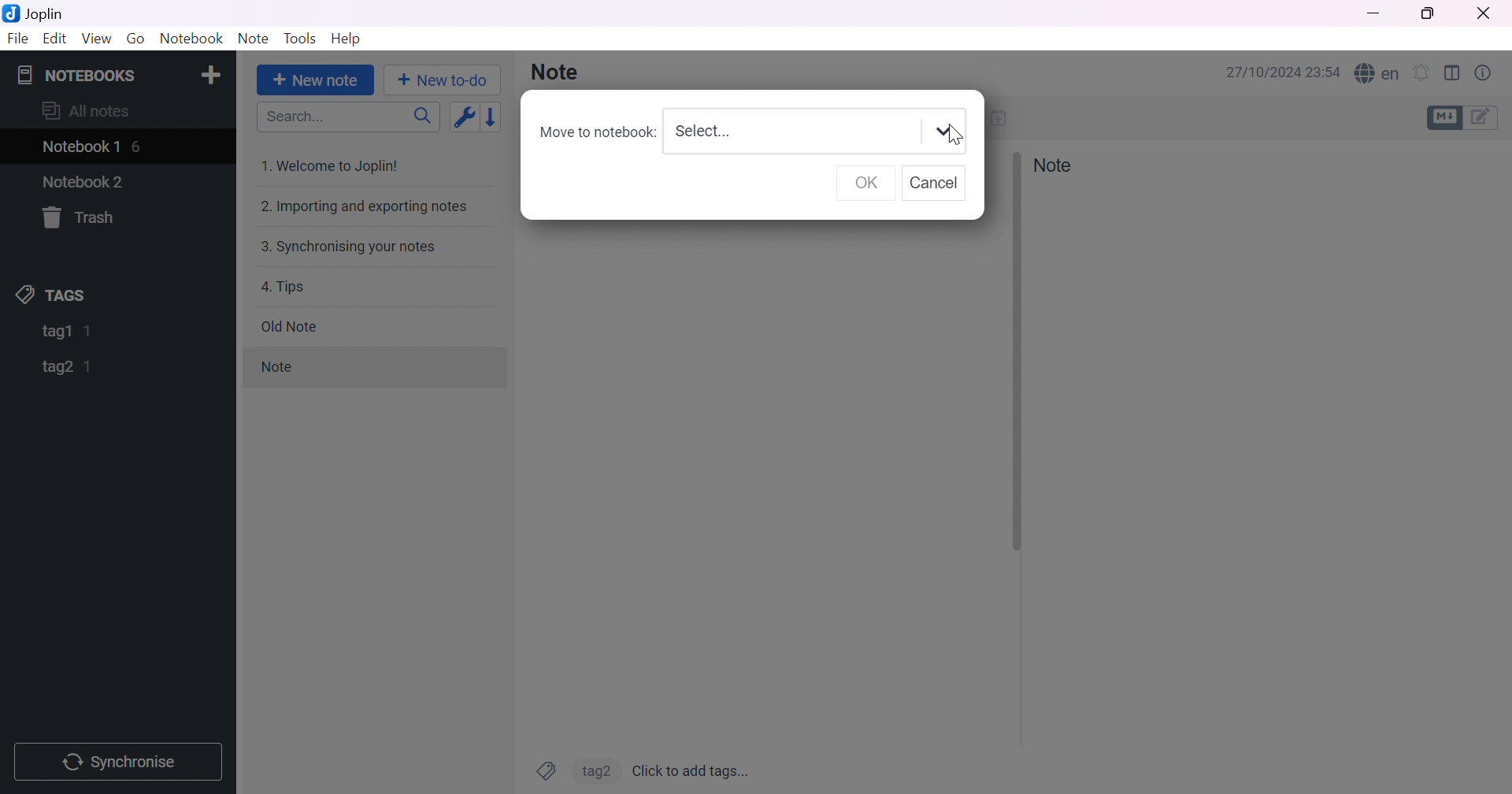 Image resolution: width=1512 pixels, height=794 pixels. What do you see at coordinates (418, 118) in the screenshot?
I see `Search icon` at bounding box center [418, 118].